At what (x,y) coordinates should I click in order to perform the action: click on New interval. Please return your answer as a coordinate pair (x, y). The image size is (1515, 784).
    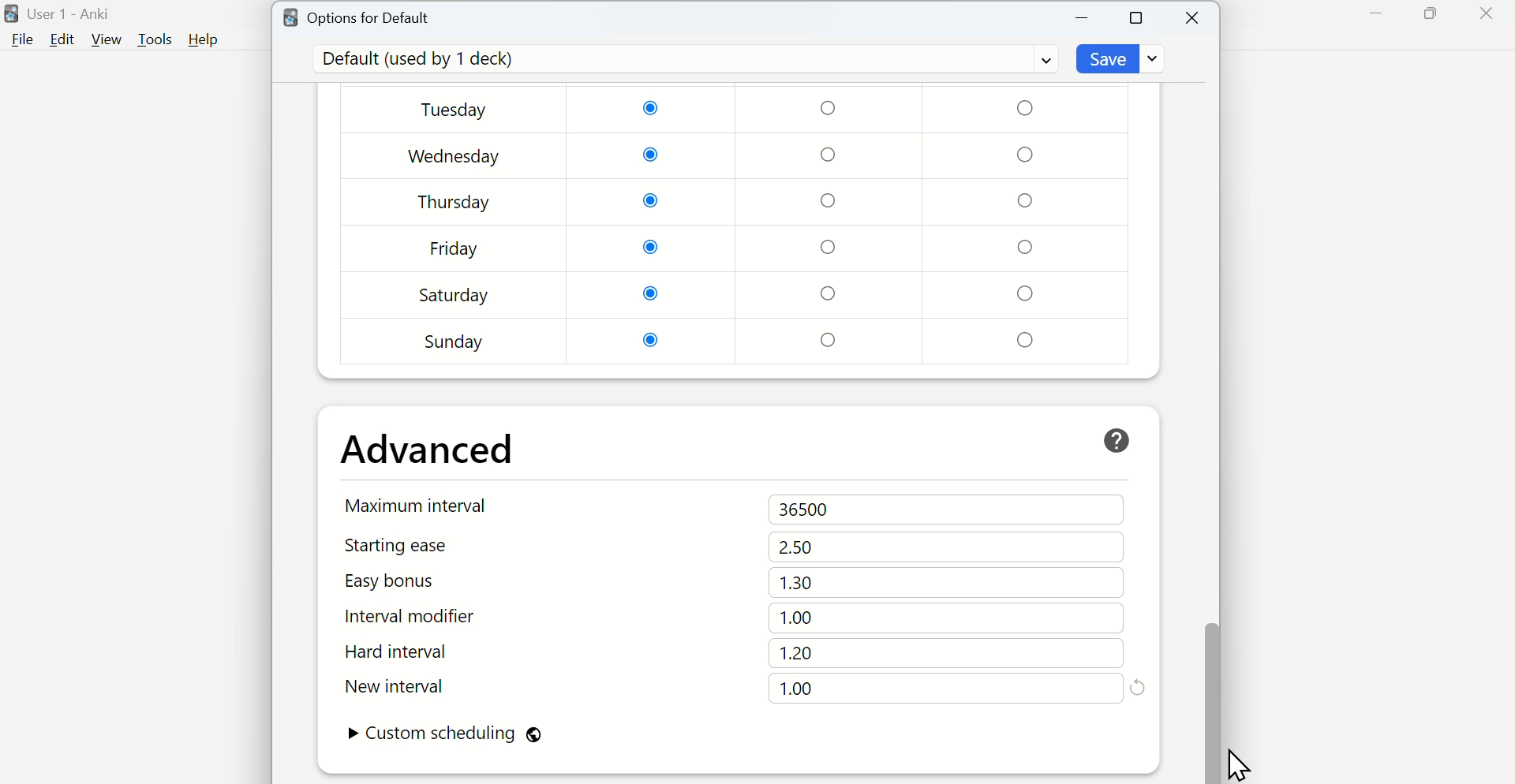
    Looking at the image, I should click on (417, 686).